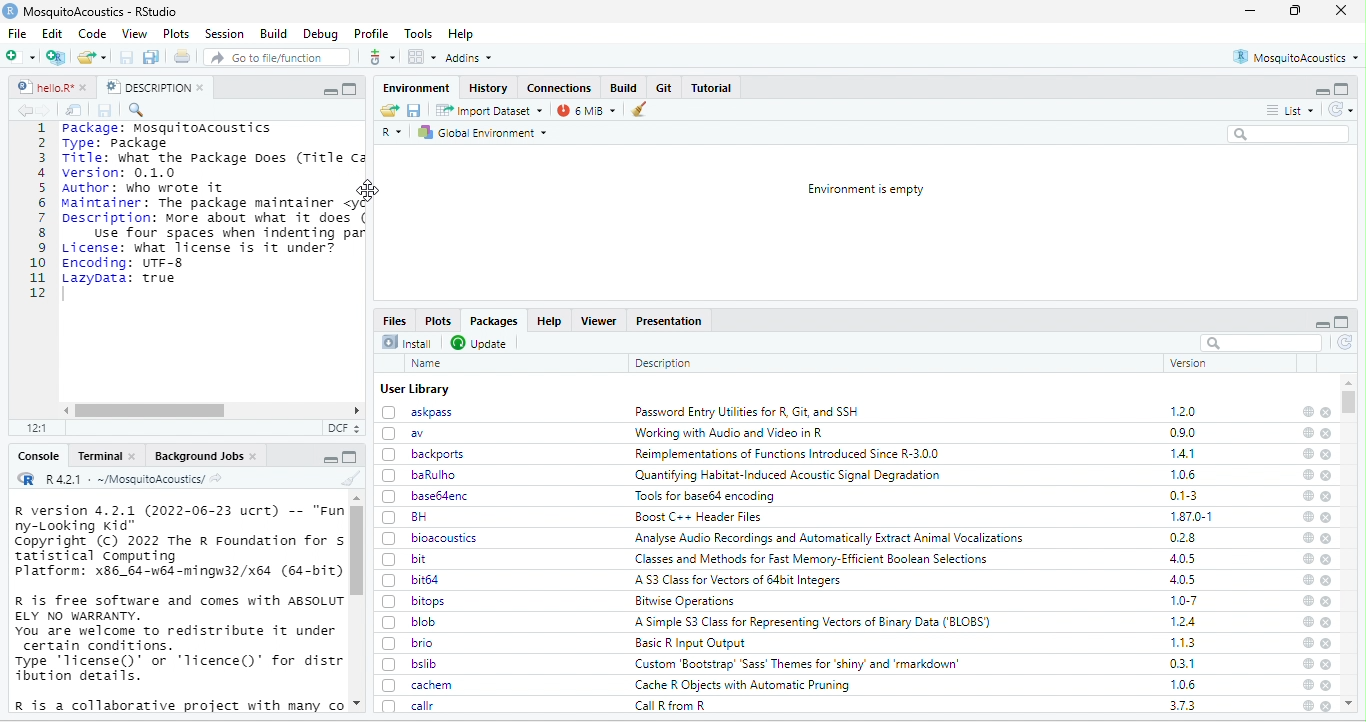  Describe the element at coordinates (410, 622) in the screenshot. I see `blob` at that location.